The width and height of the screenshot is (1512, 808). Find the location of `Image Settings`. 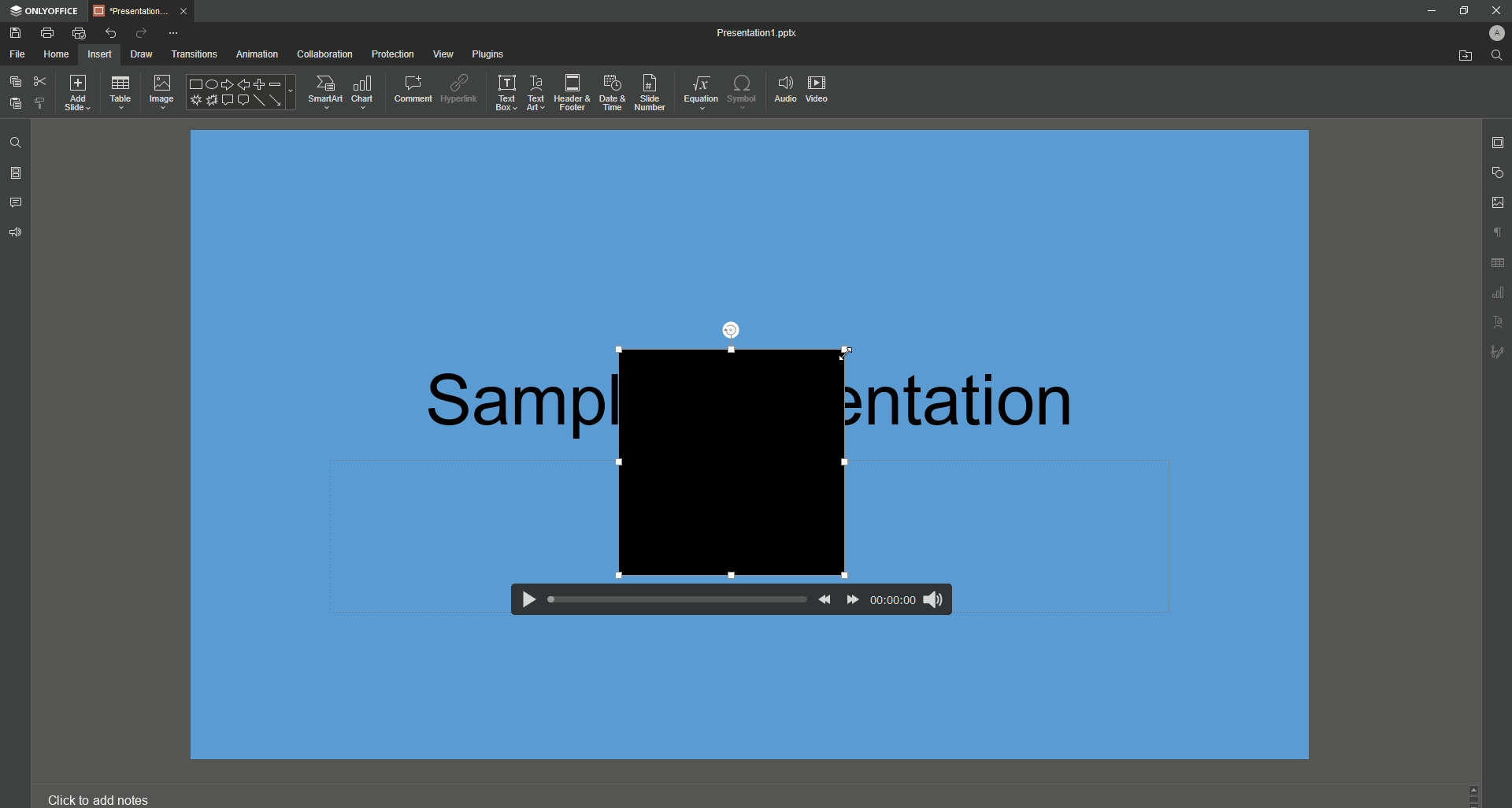

Image Settings is located at coordinates (1498, 203).